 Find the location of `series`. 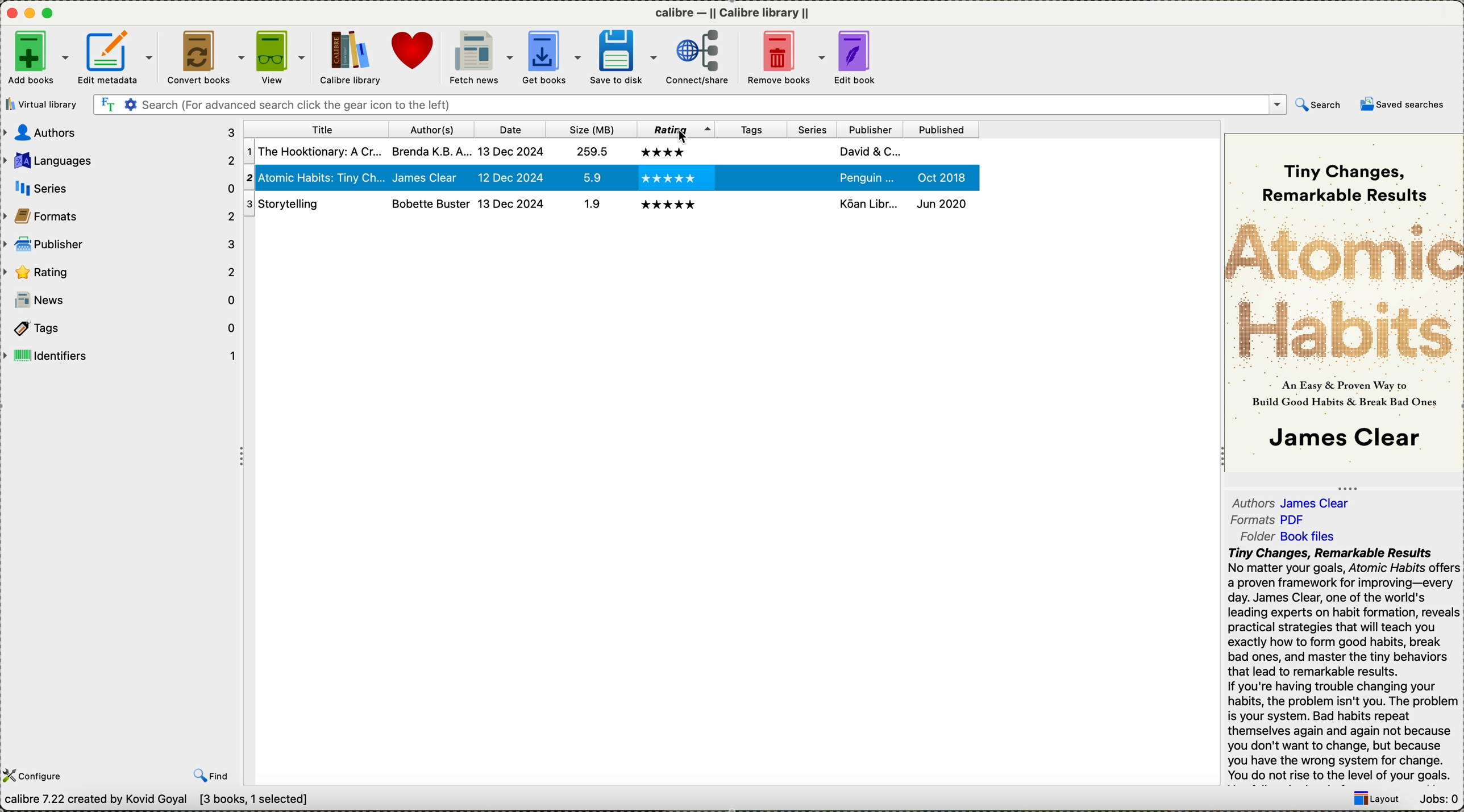

series is located at coordinates (122, 188).